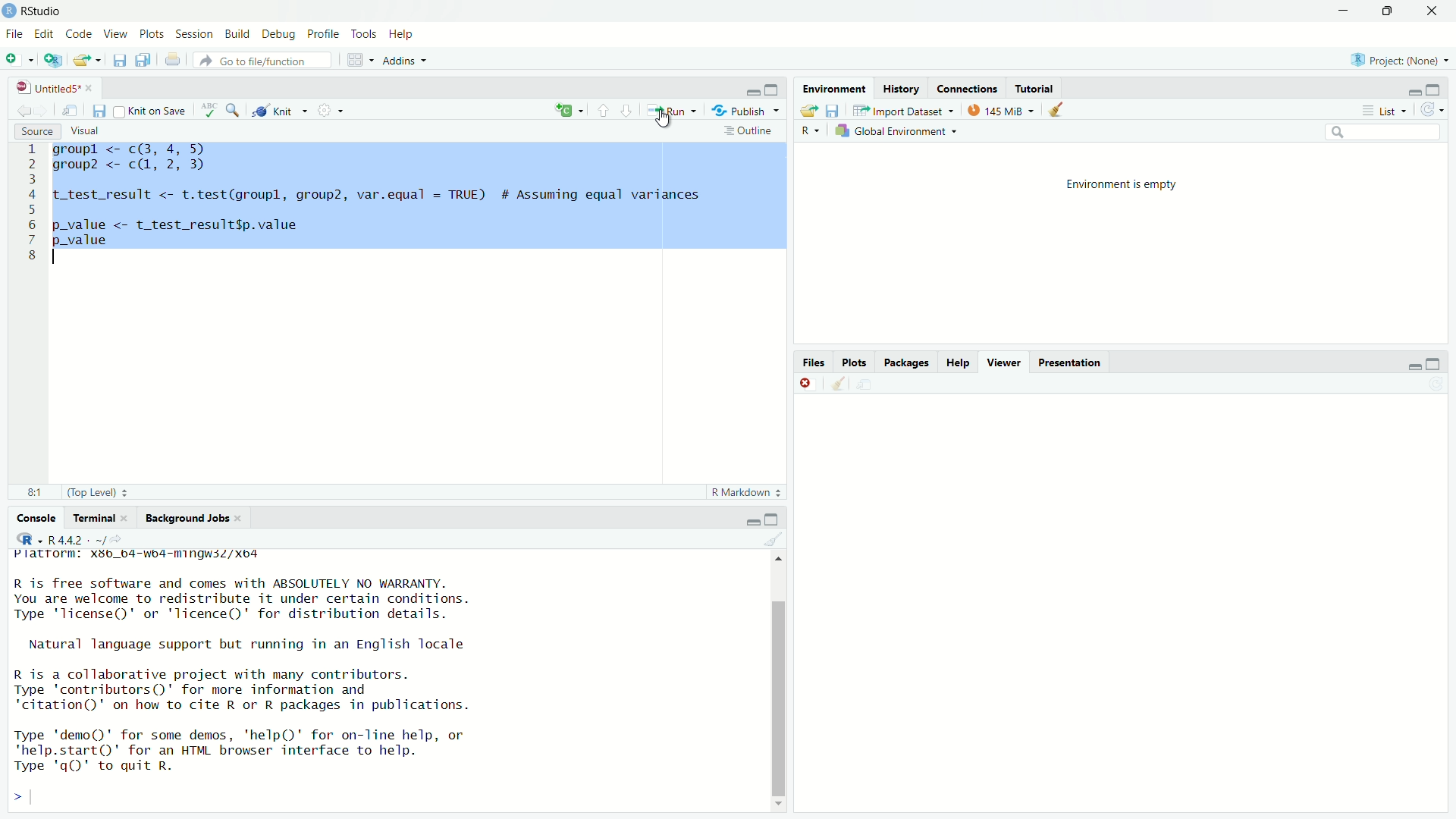 This screenshot has width=1456, height=819. Describe the element at coordinates (98, 517) in the screenshot. I see `Terminal` at that location.